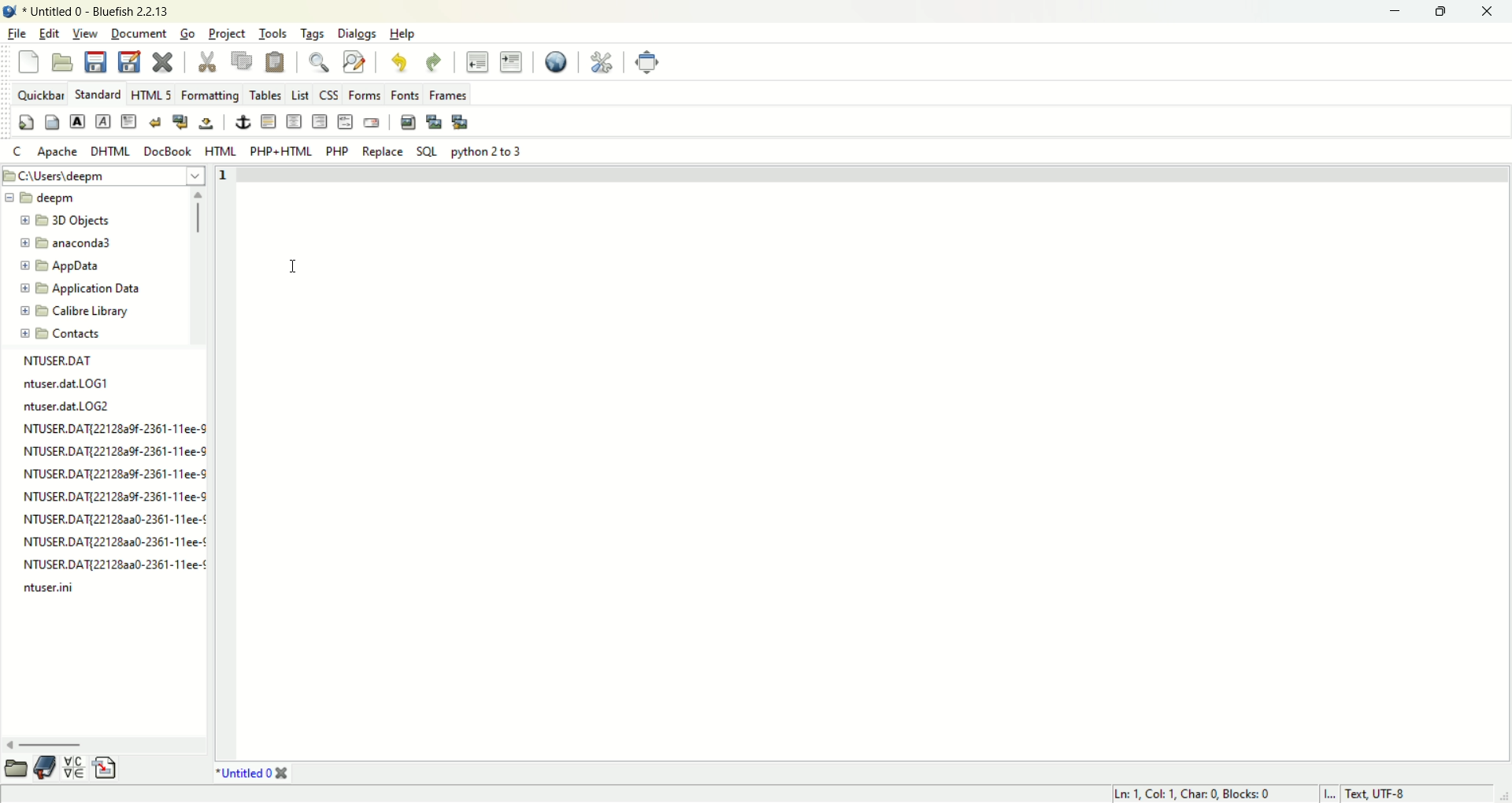 This screenshot has height=803, width=1512. I want to click on NTUSER.DAT{22128a9f-2361-11ee-S, so click(117, 501).